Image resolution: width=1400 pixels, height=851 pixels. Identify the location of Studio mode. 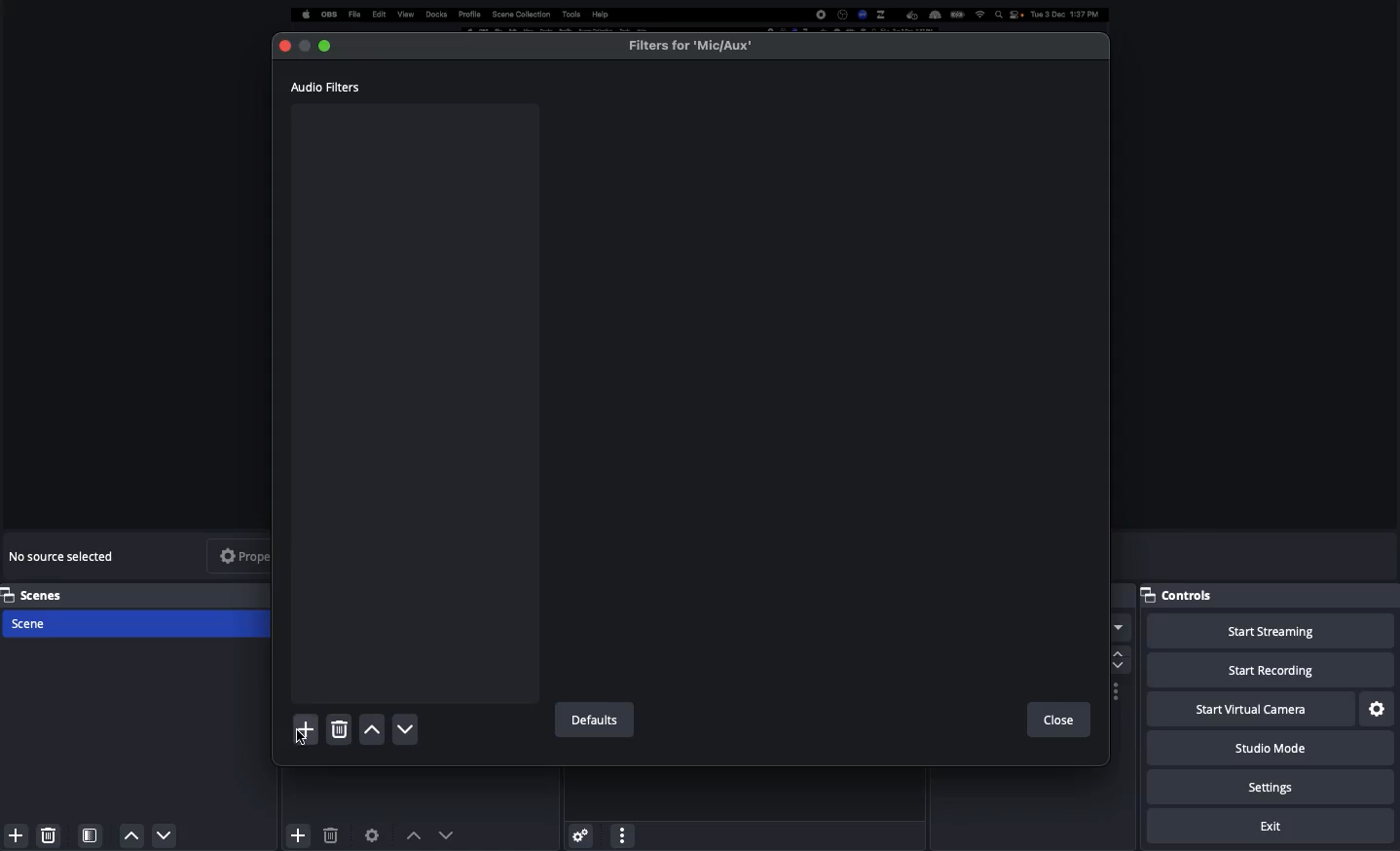
(1268, 752).